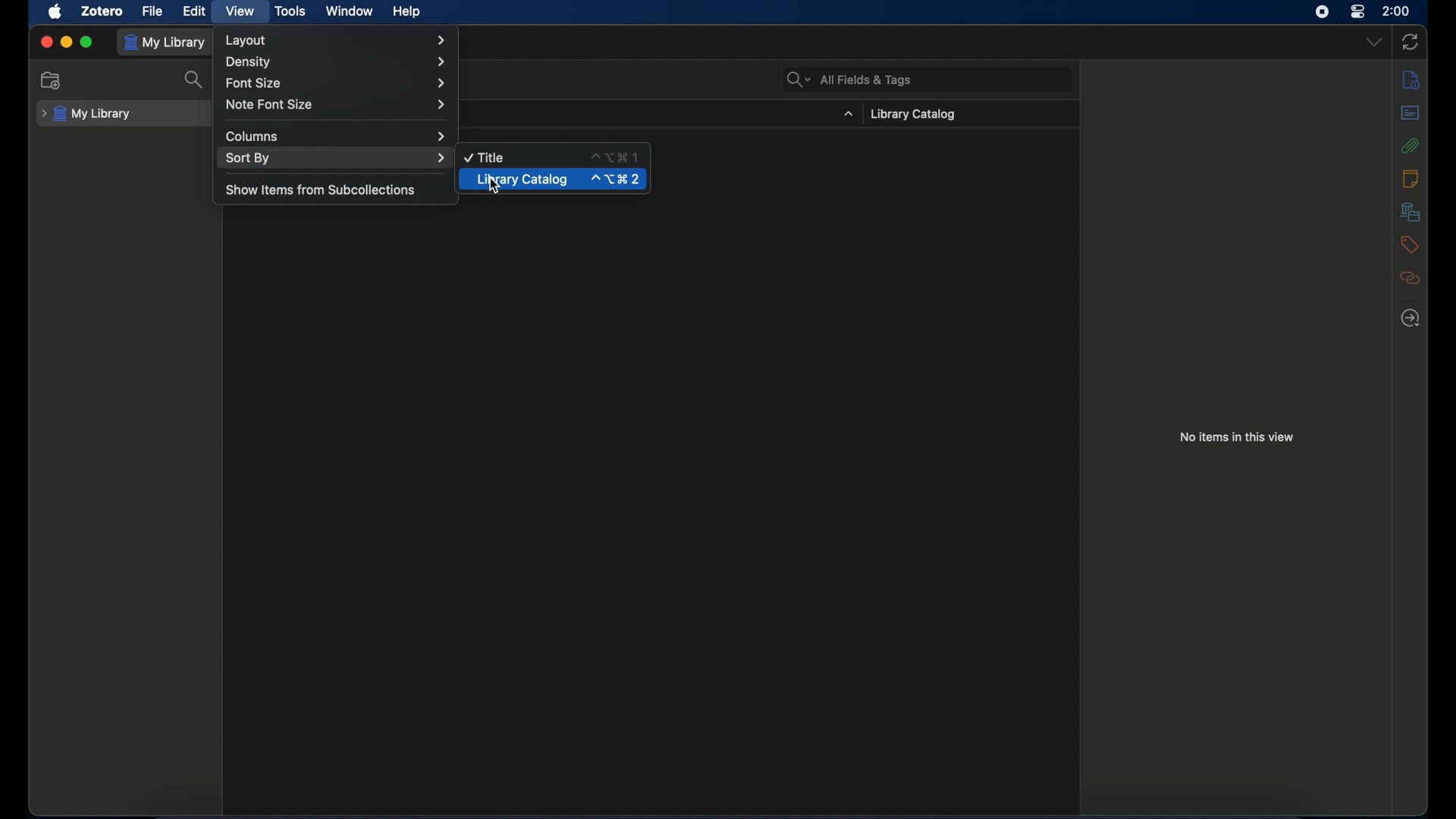 Image resolution: width=1456 pixels, height=819 pixels. I want to click on abstract, so click(1410, 113).